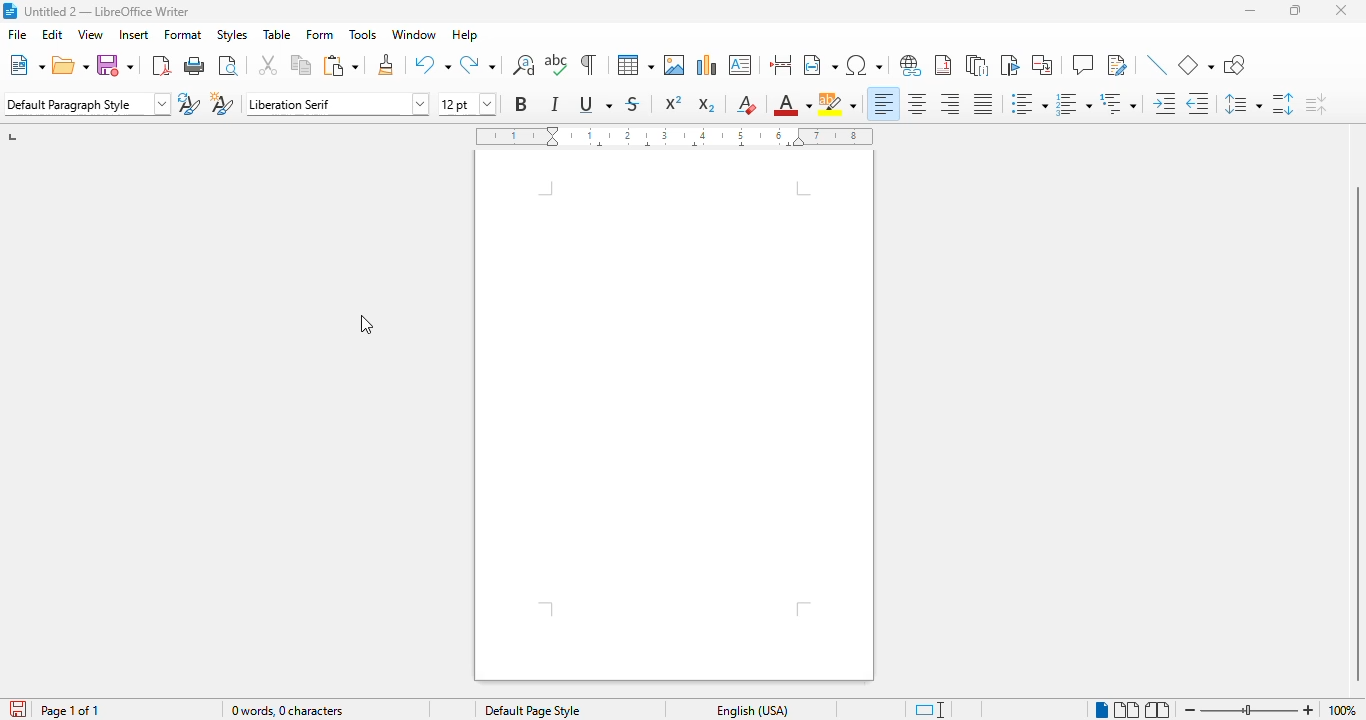 The image size is (1366, 720). I want to click on text language, so click(753, 710).